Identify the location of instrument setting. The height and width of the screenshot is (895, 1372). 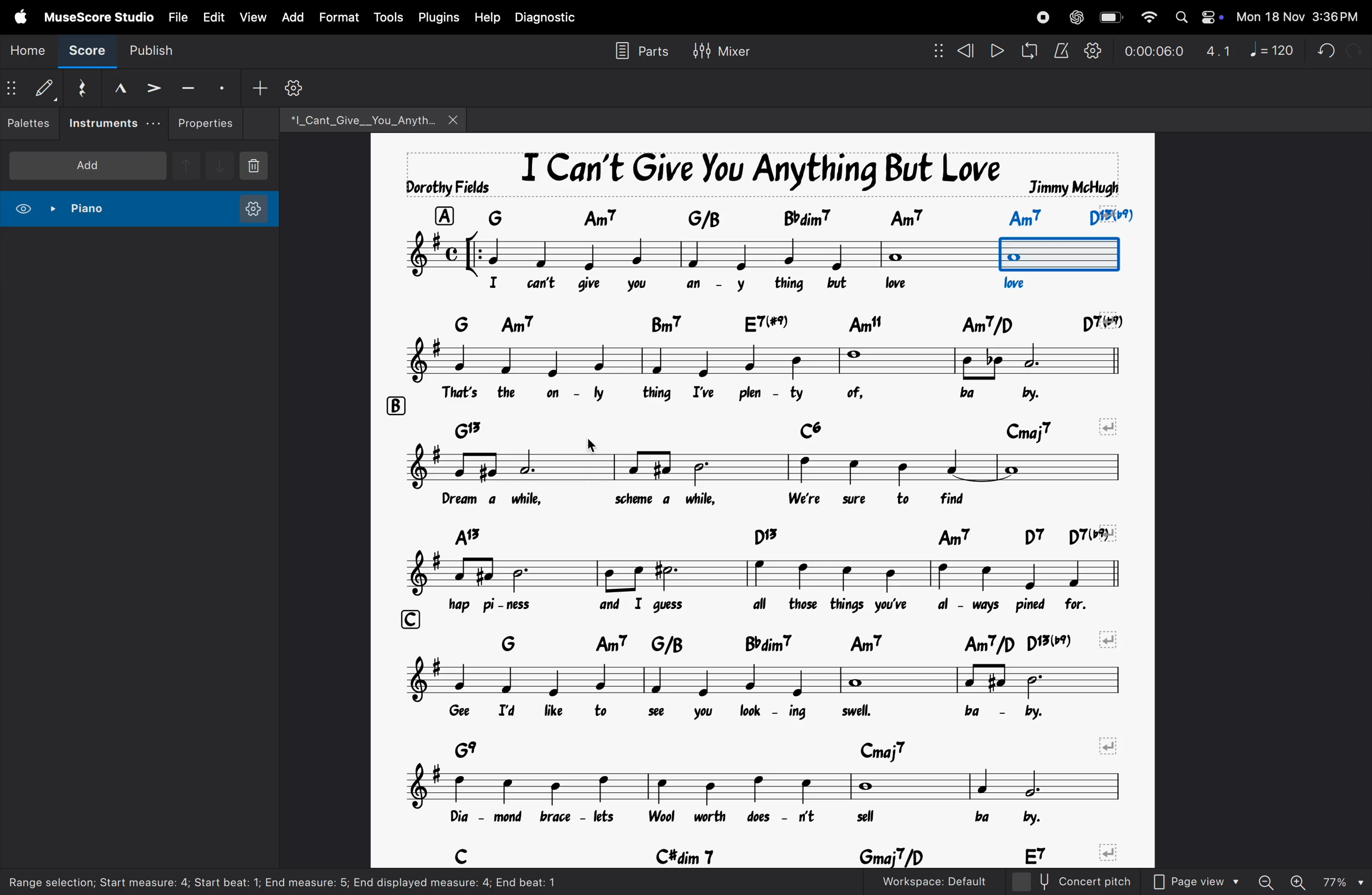
(252, 210).